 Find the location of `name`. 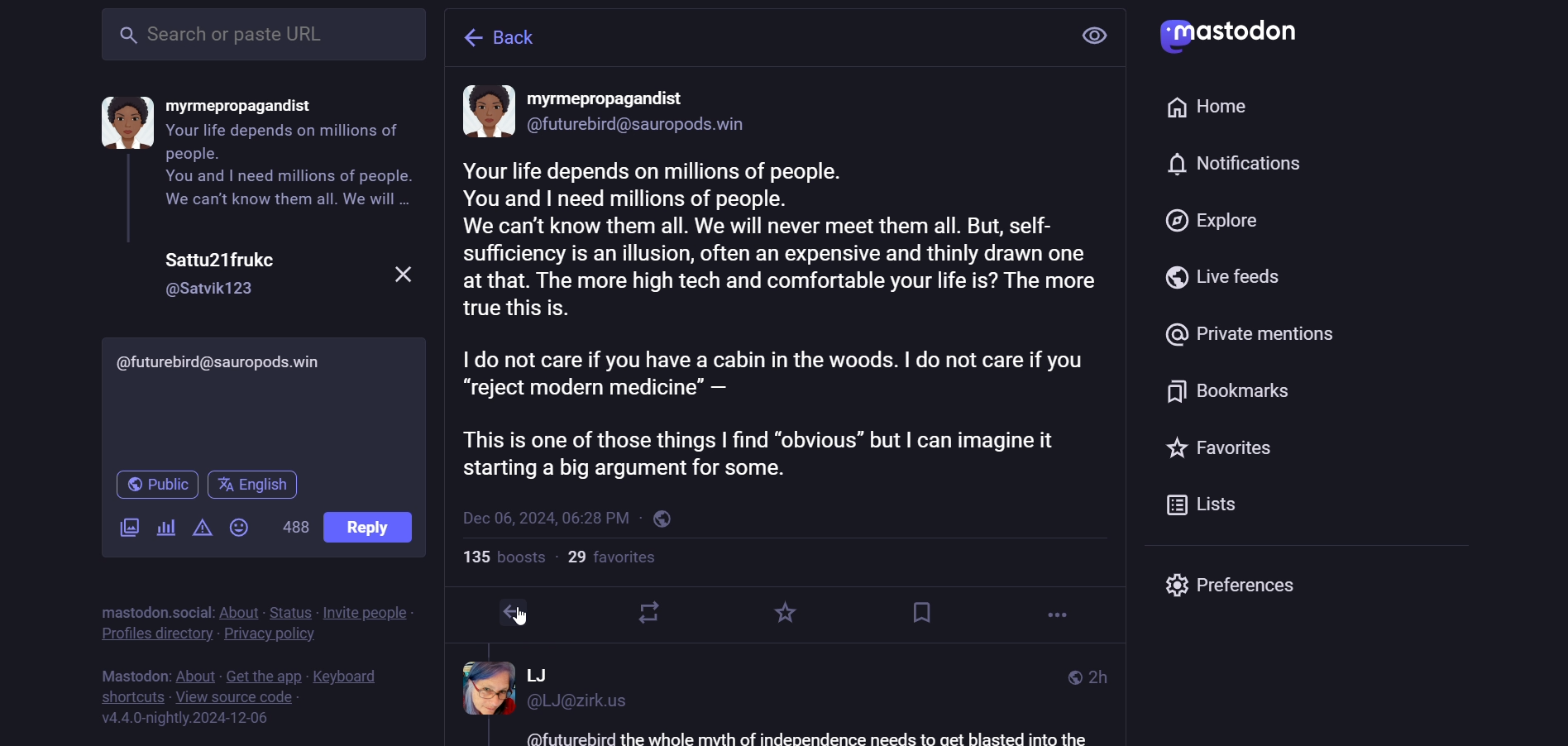

name is located at coordinates (613, 99).